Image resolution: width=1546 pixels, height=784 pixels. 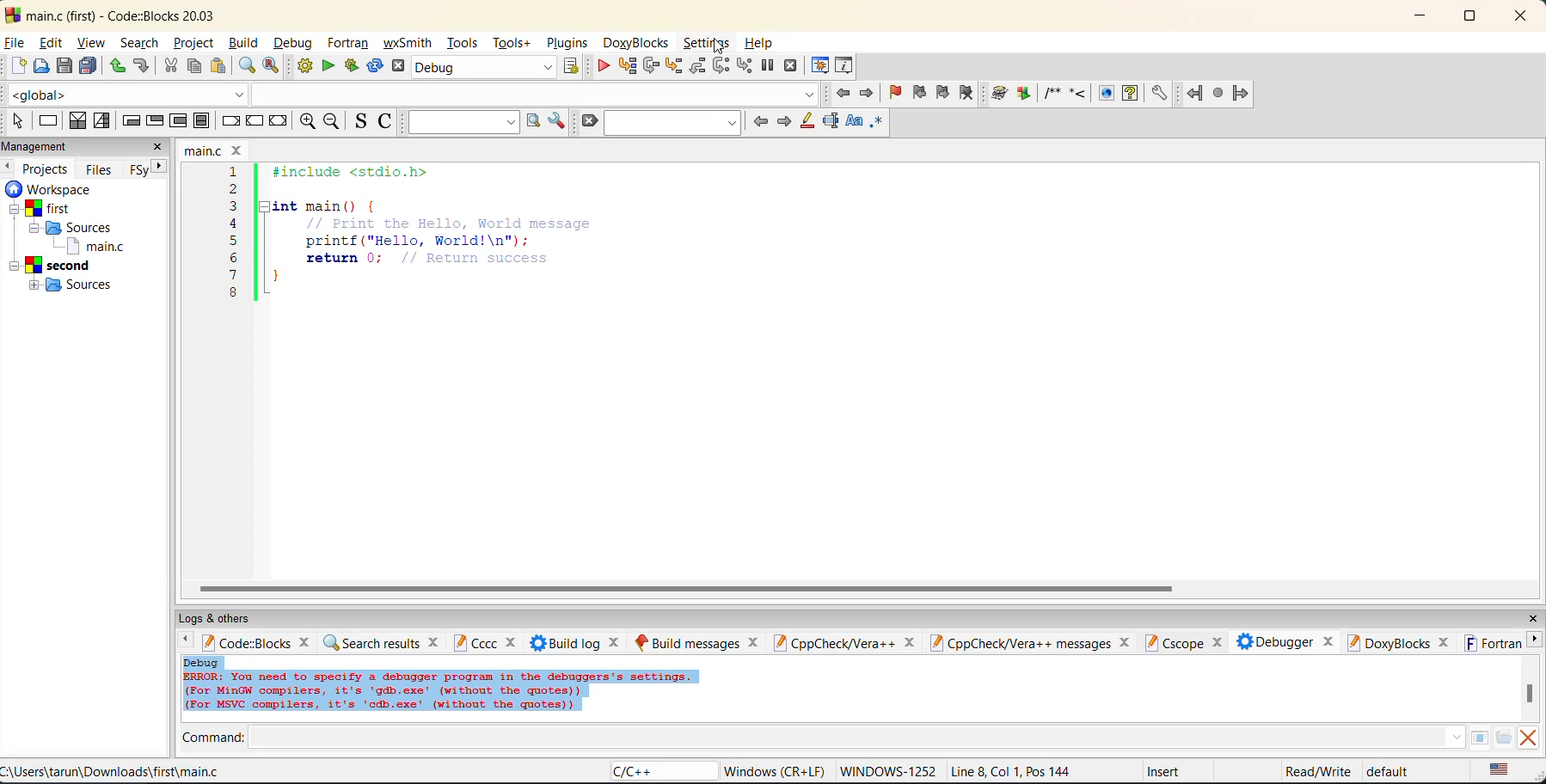 I want to click on clear bookmark, so click(x=965, y=94).